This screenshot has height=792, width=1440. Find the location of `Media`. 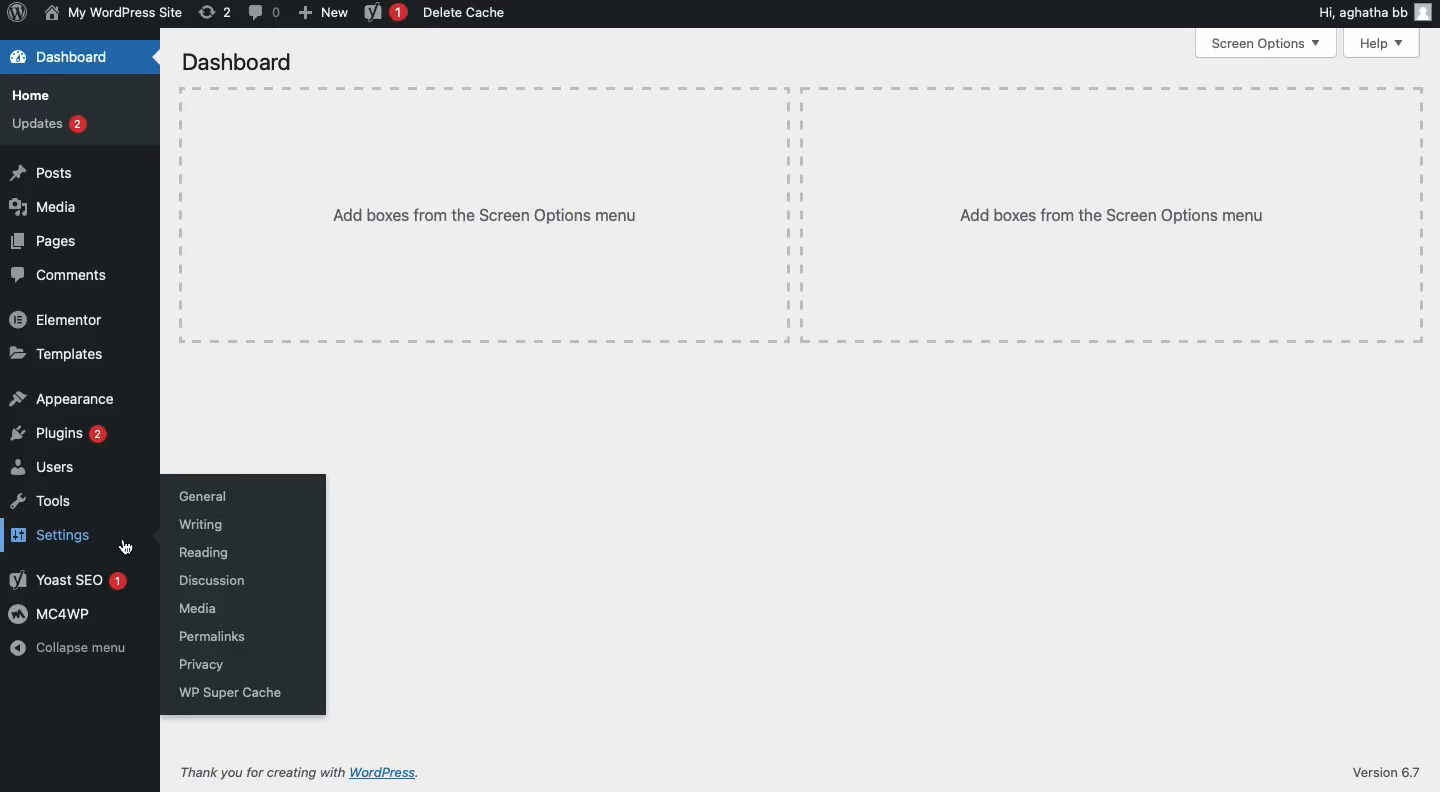

Media is located at coordinates (41, 206).